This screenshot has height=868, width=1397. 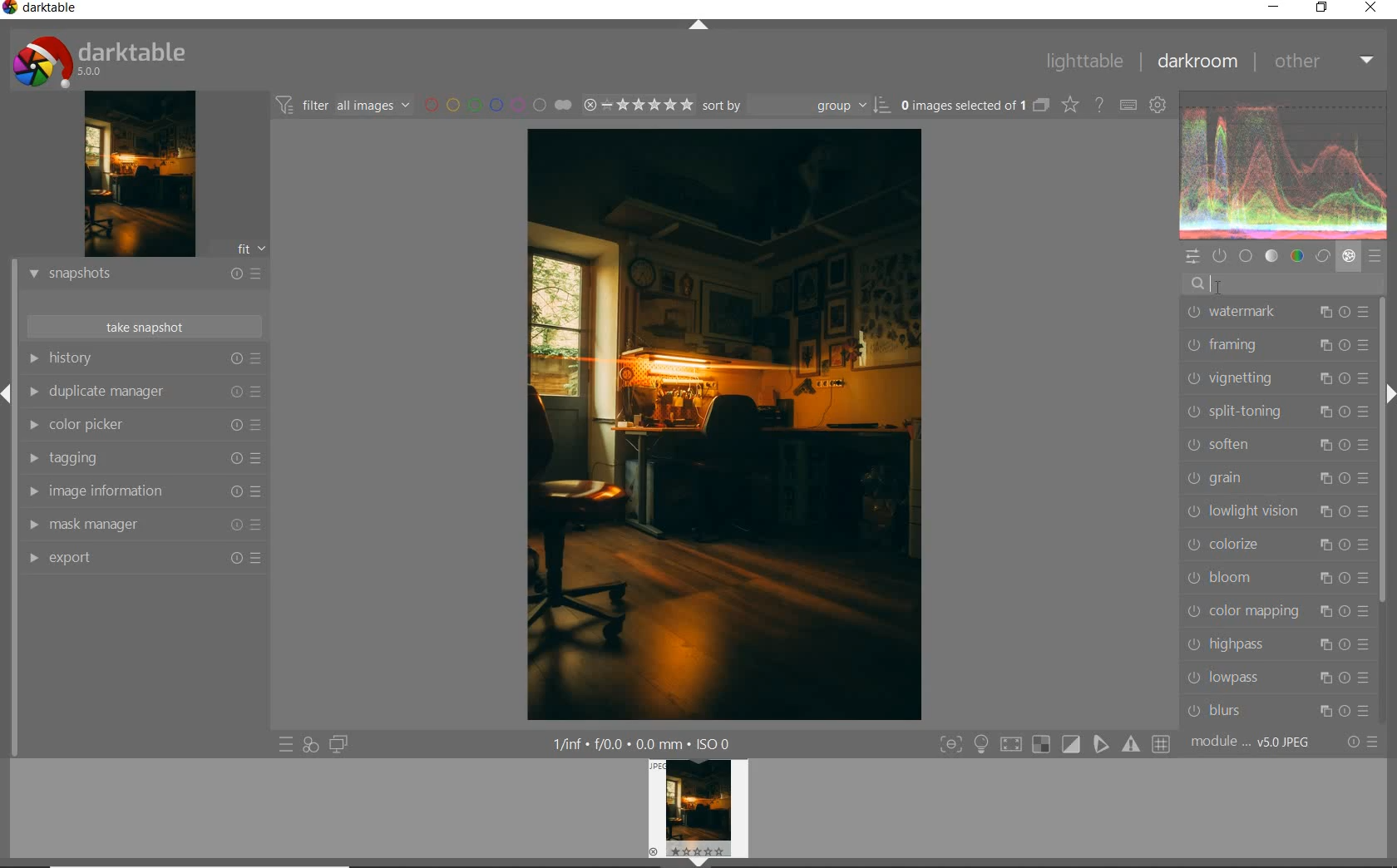 What do you see at coordinates (1276, 510) in the screenshot?
I see `lowlight vision` at bounding box center [1276, 510].